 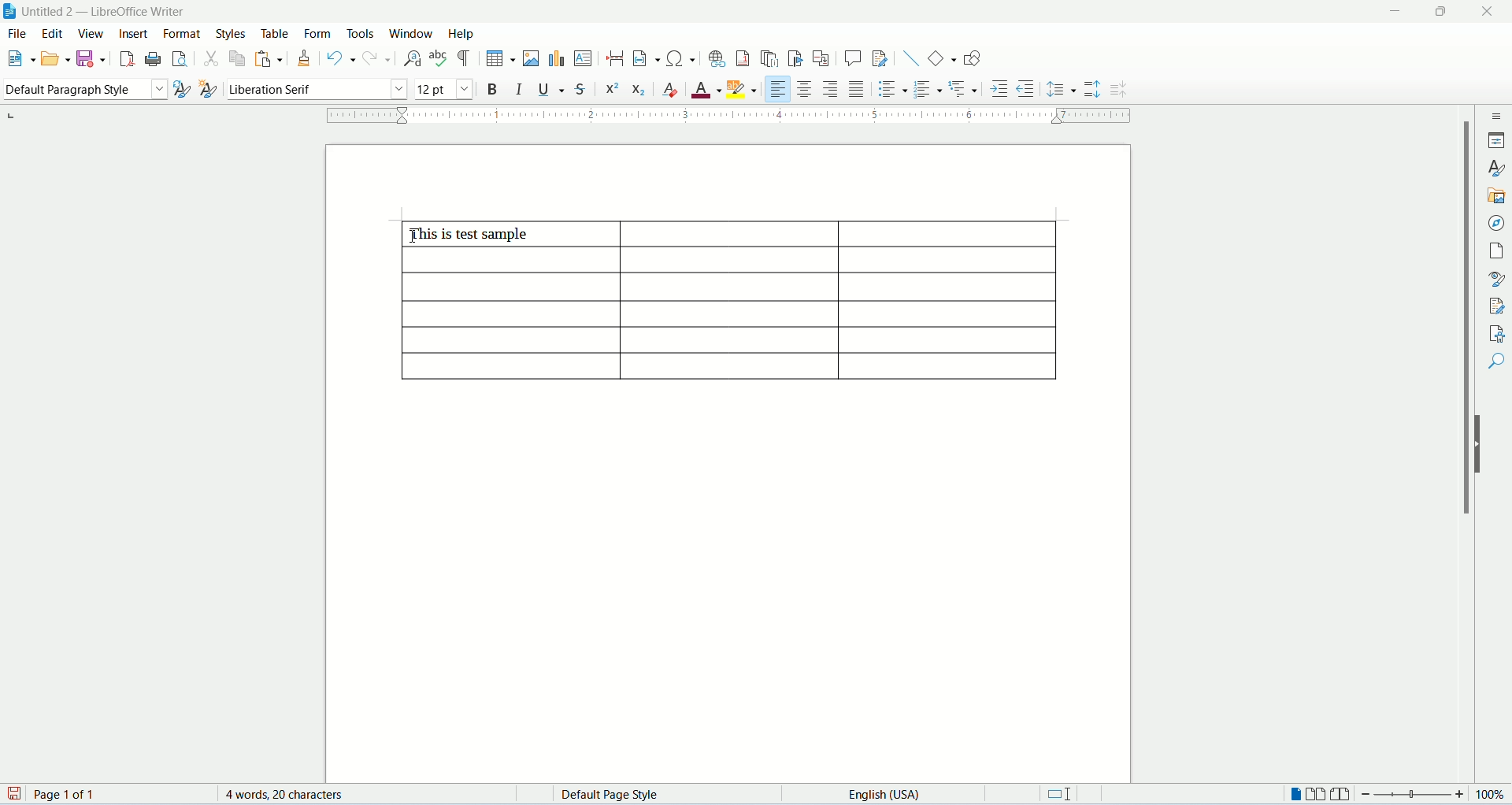 I want to click on standard selection, so click(x=1064, y=795).